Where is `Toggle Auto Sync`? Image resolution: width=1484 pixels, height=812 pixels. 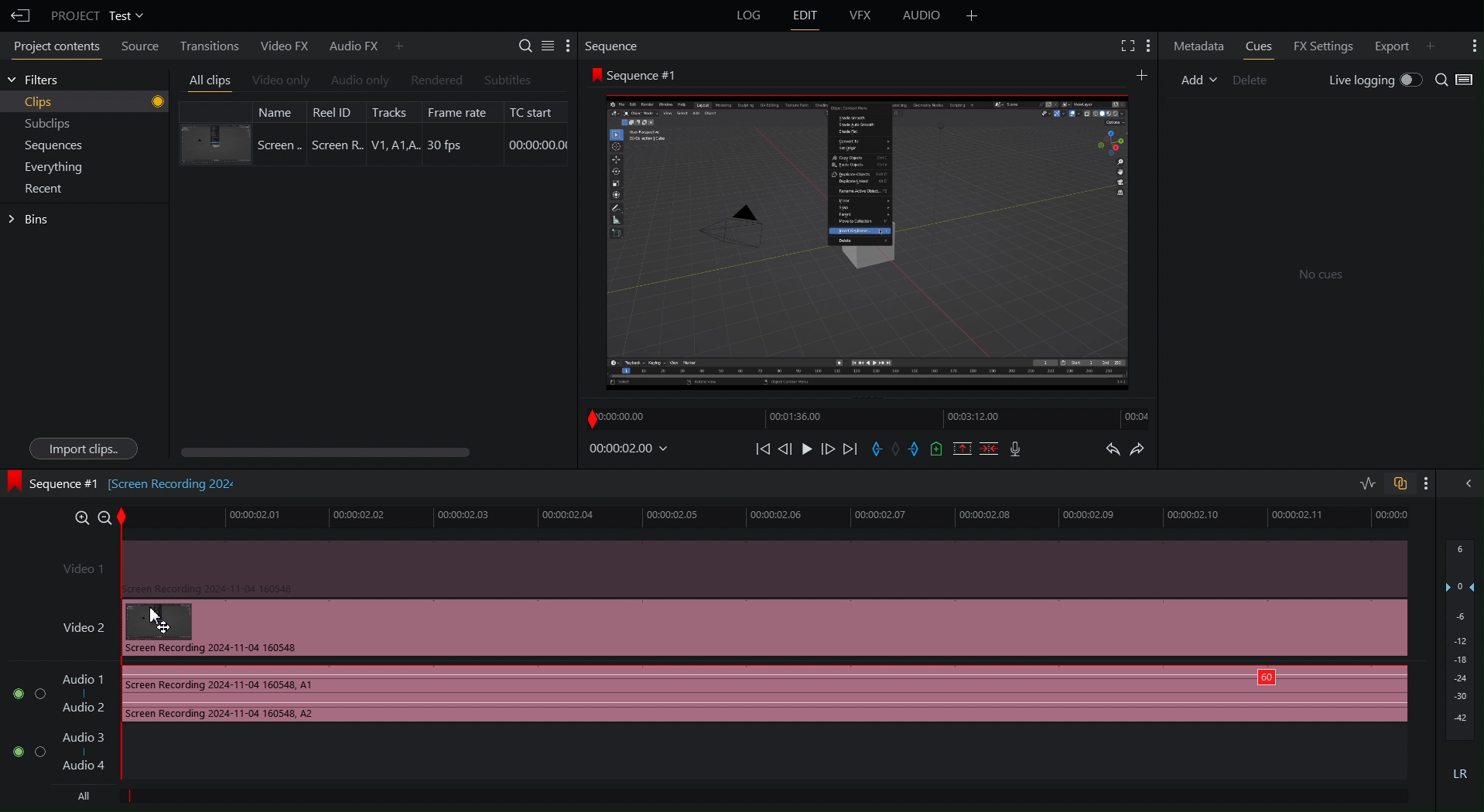 Toggle Auto Sync is located at coordinates (1400, 481).